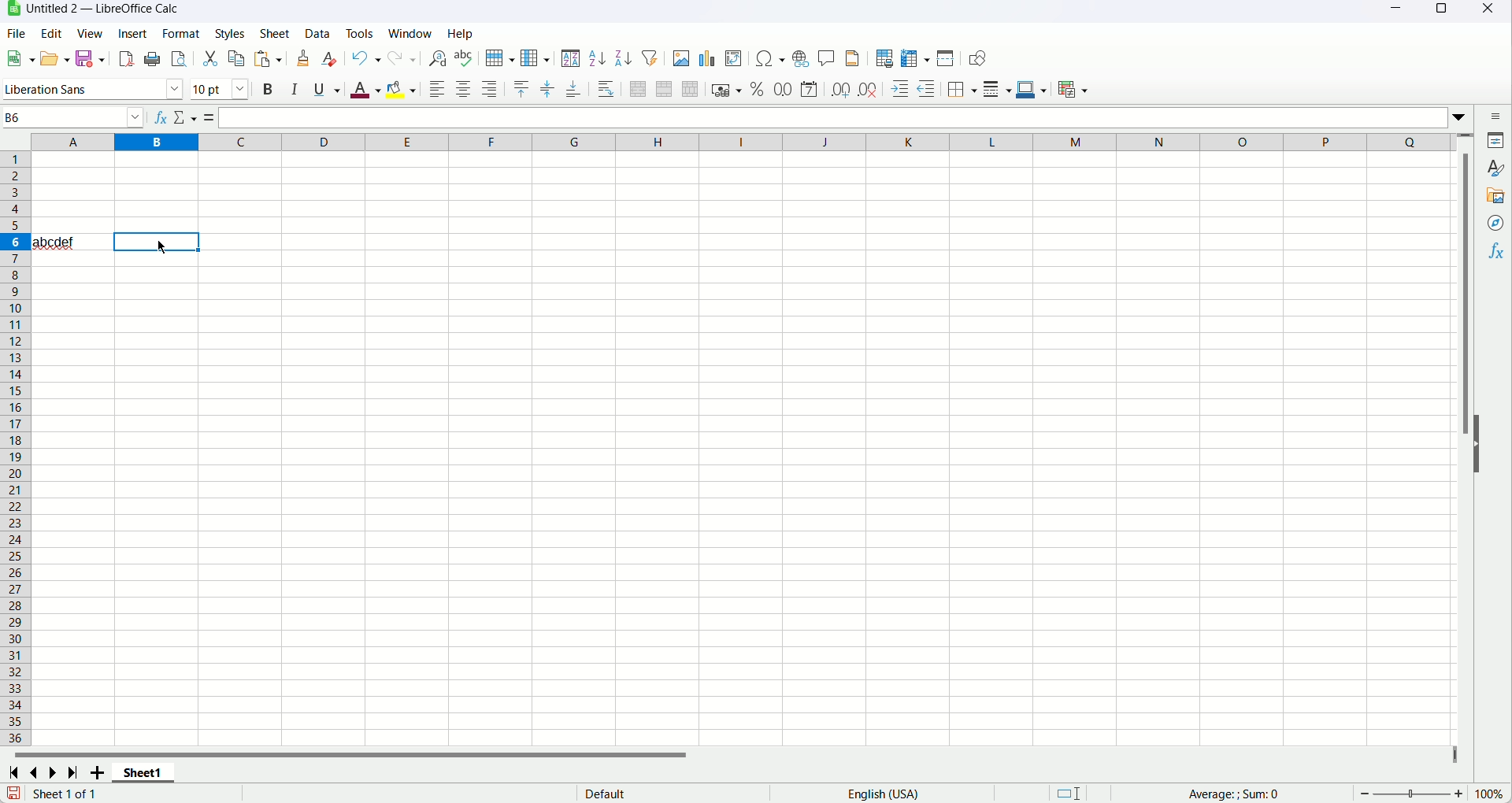  I want to click on sidebar settings, so click(1497, 117).